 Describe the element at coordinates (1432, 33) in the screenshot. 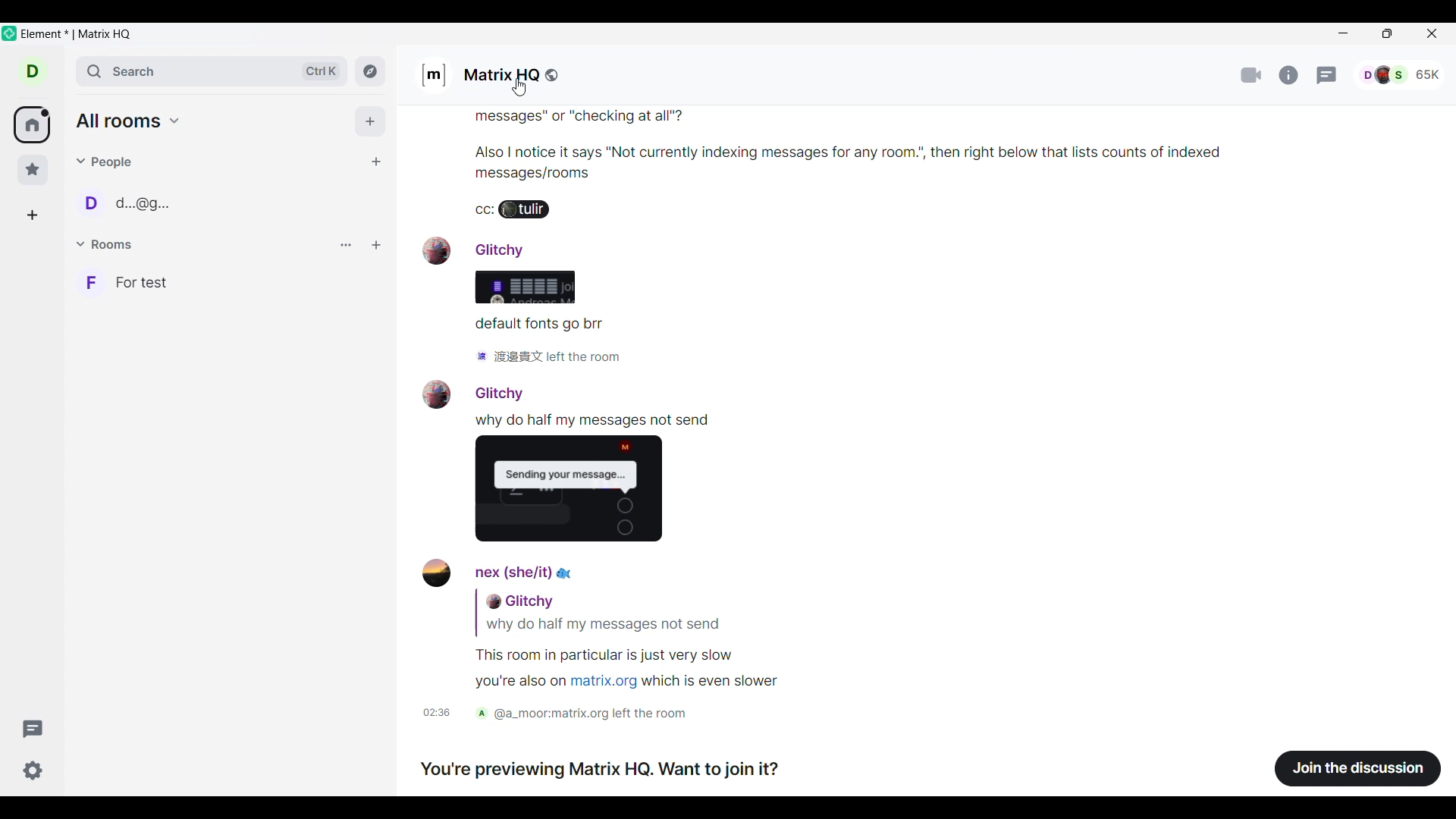

I see `Close interface` at that location.